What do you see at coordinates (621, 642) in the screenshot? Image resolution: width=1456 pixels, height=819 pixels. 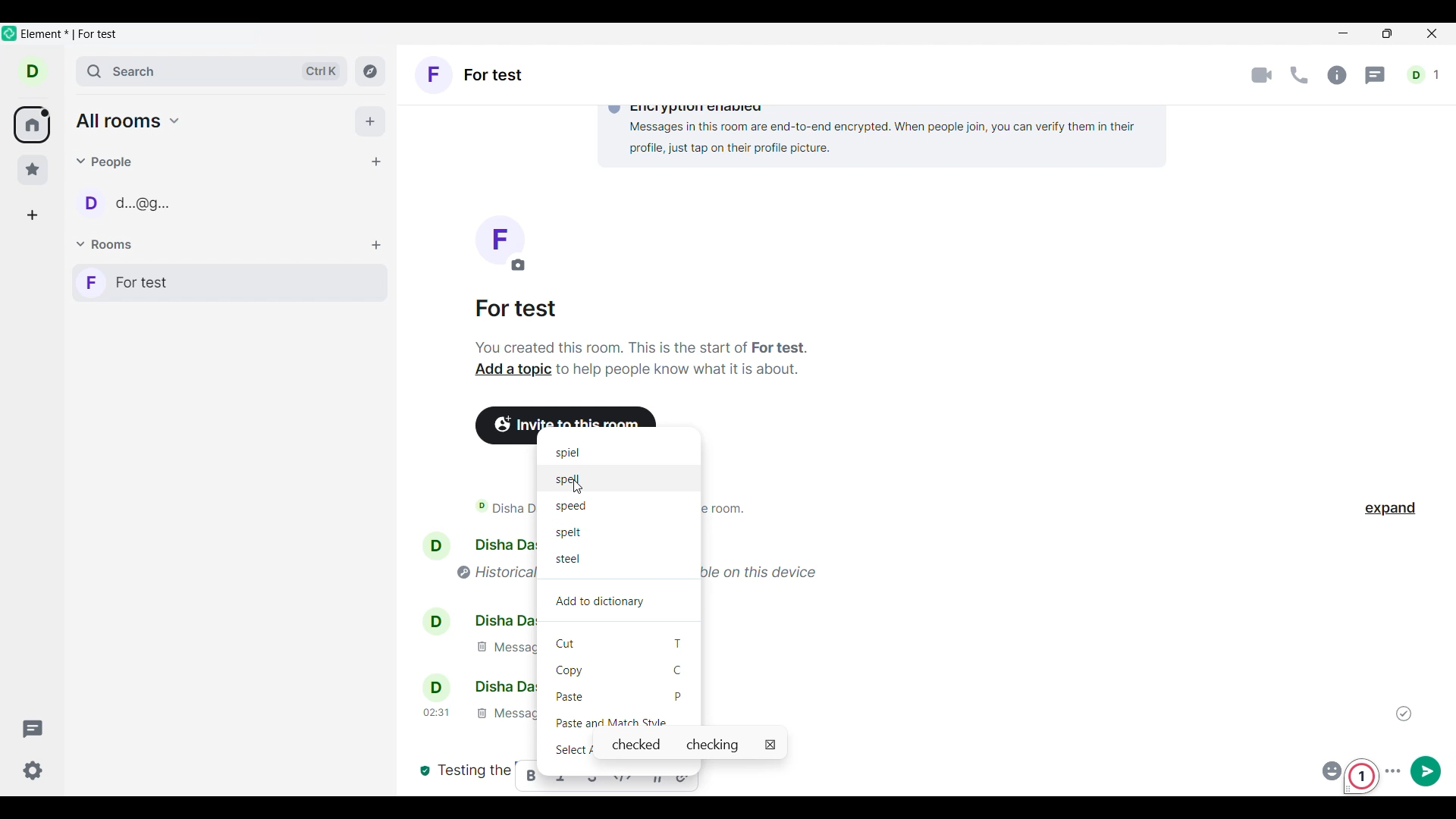 I see `Cut` at bounding box center [621, 642].